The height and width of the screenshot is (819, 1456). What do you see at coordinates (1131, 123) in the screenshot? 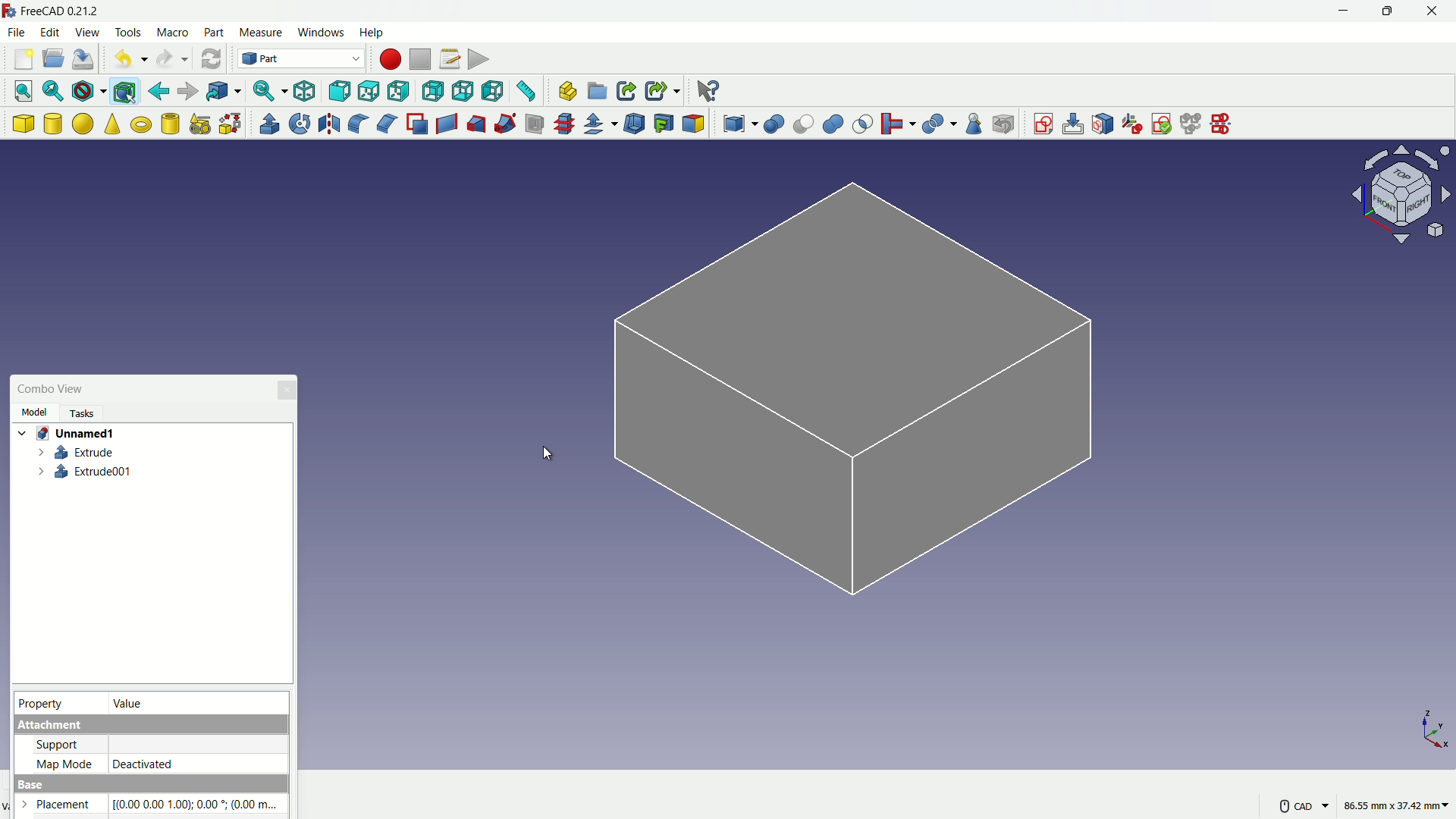
I see `reorient sketch` at bounding box center [1131, 123].